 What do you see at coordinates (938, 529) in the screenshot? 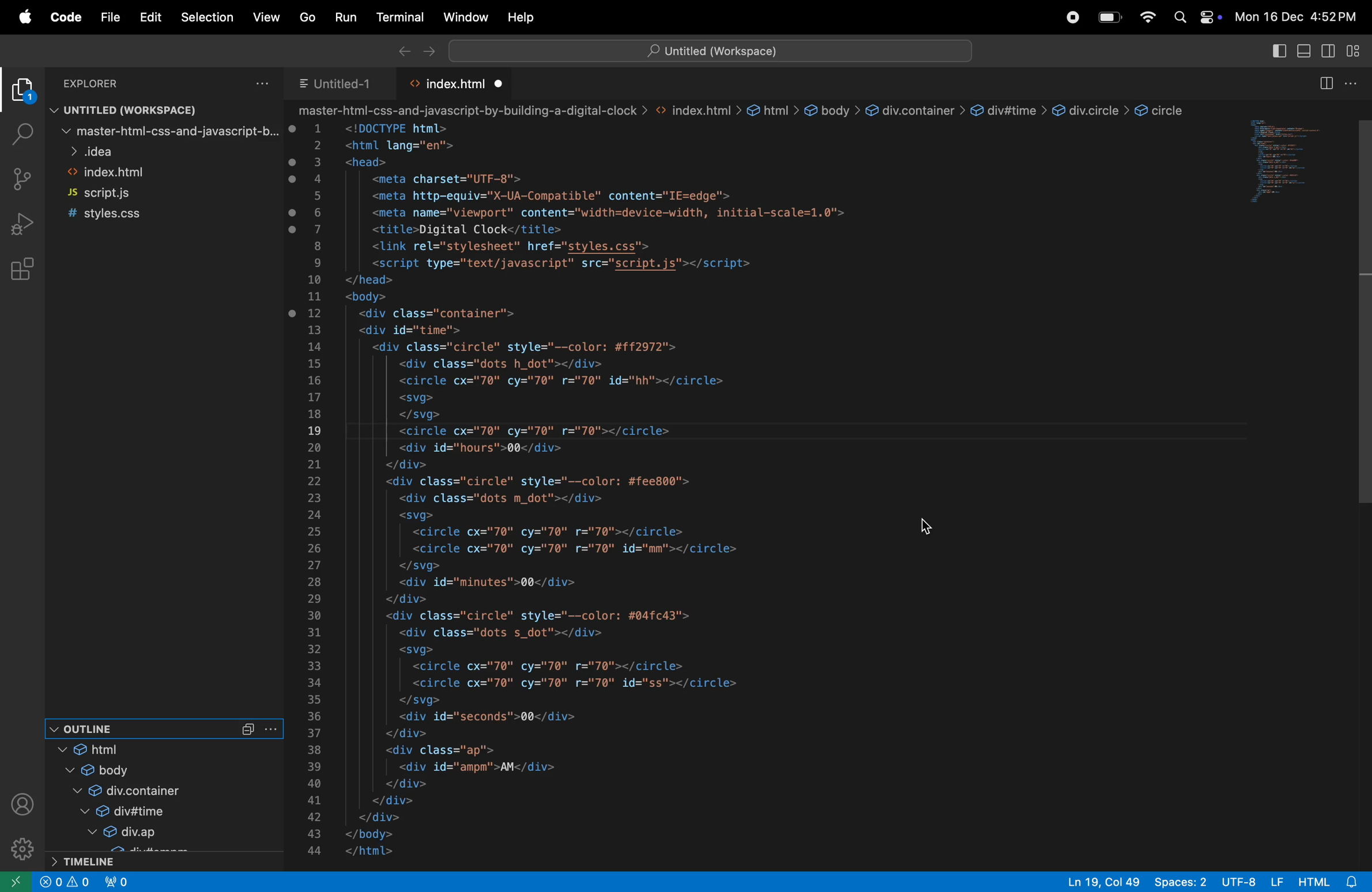
I see `cursor` at bounding box center [938, 529].